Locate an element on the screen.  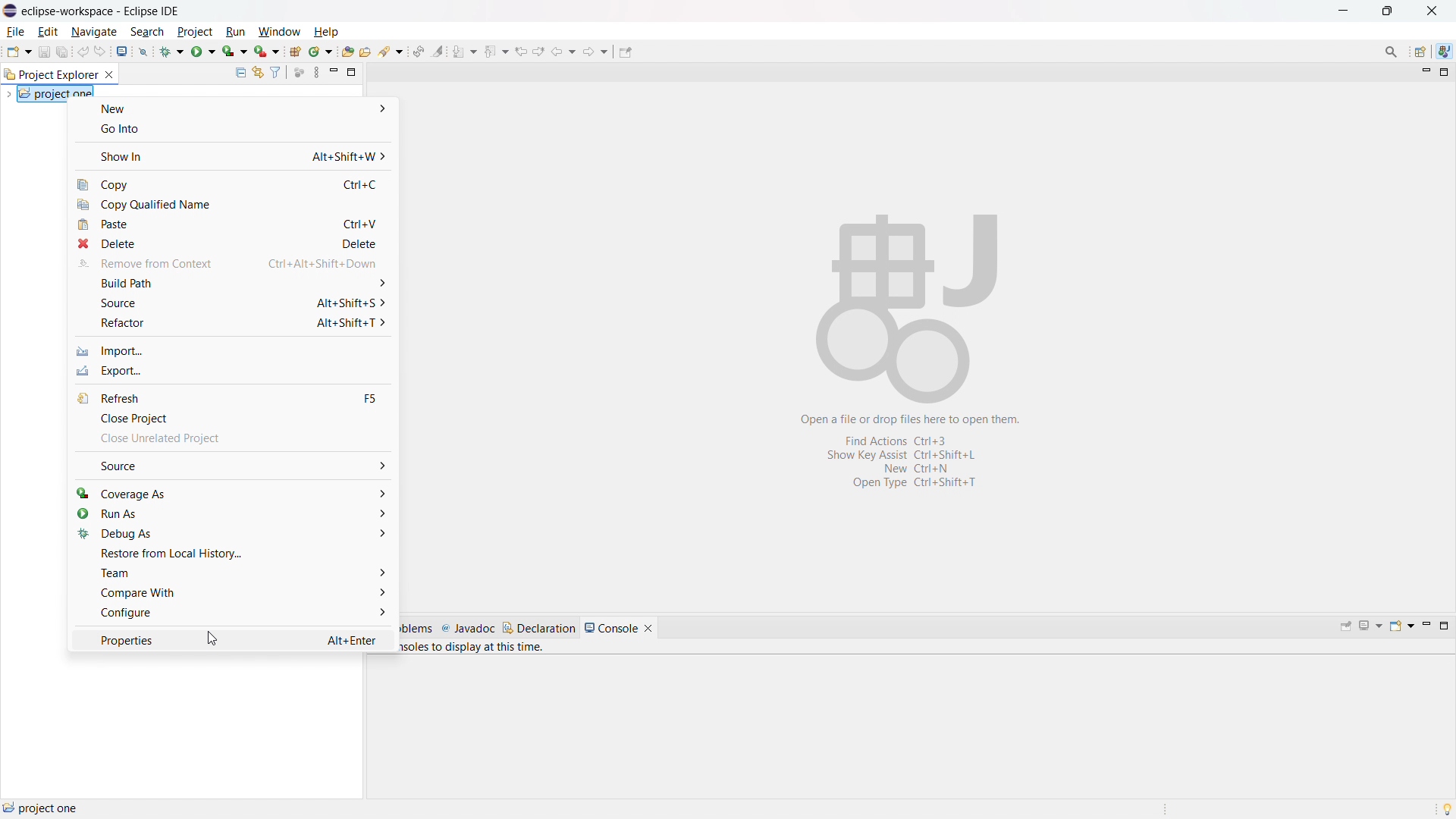
view next location is located at coordinates (538, 49).